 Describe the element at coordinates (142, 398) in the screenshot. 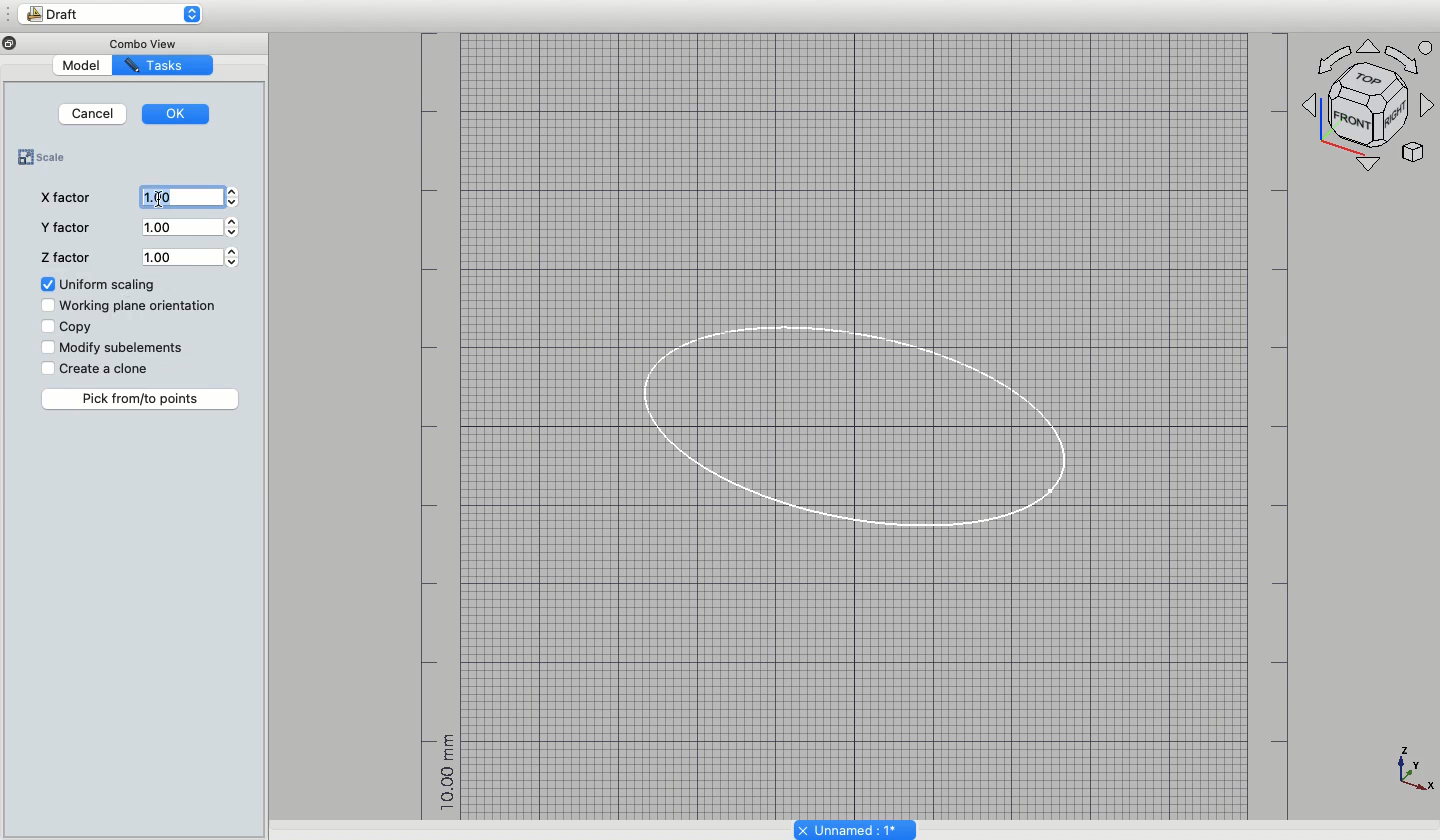

I see `Pick from/to points` at that location.